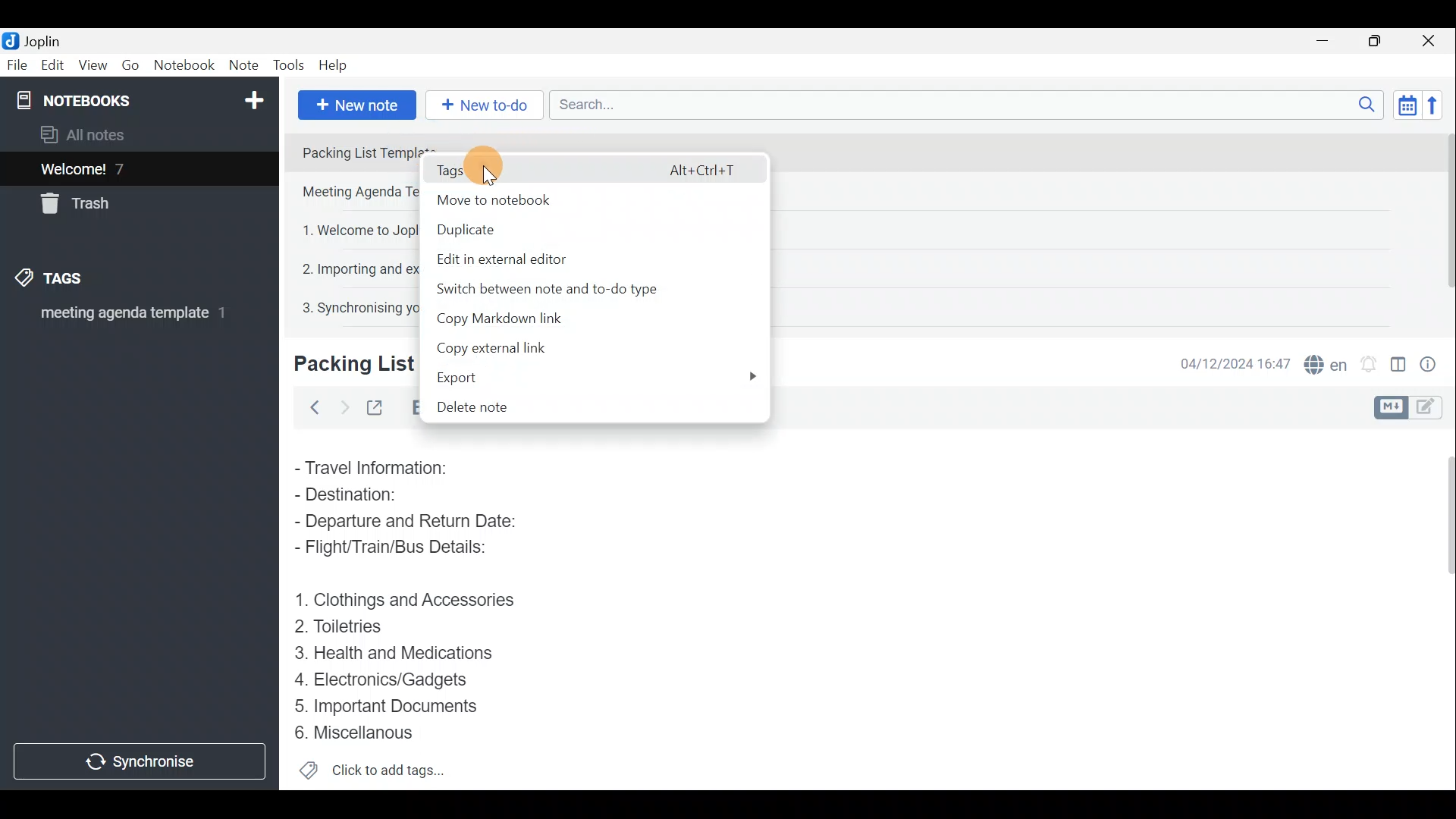 This screenshot has width=1456, height=819. Describe the element at coordinates (350, 151) in the screenshot. I see `Packing List Template` at that location.